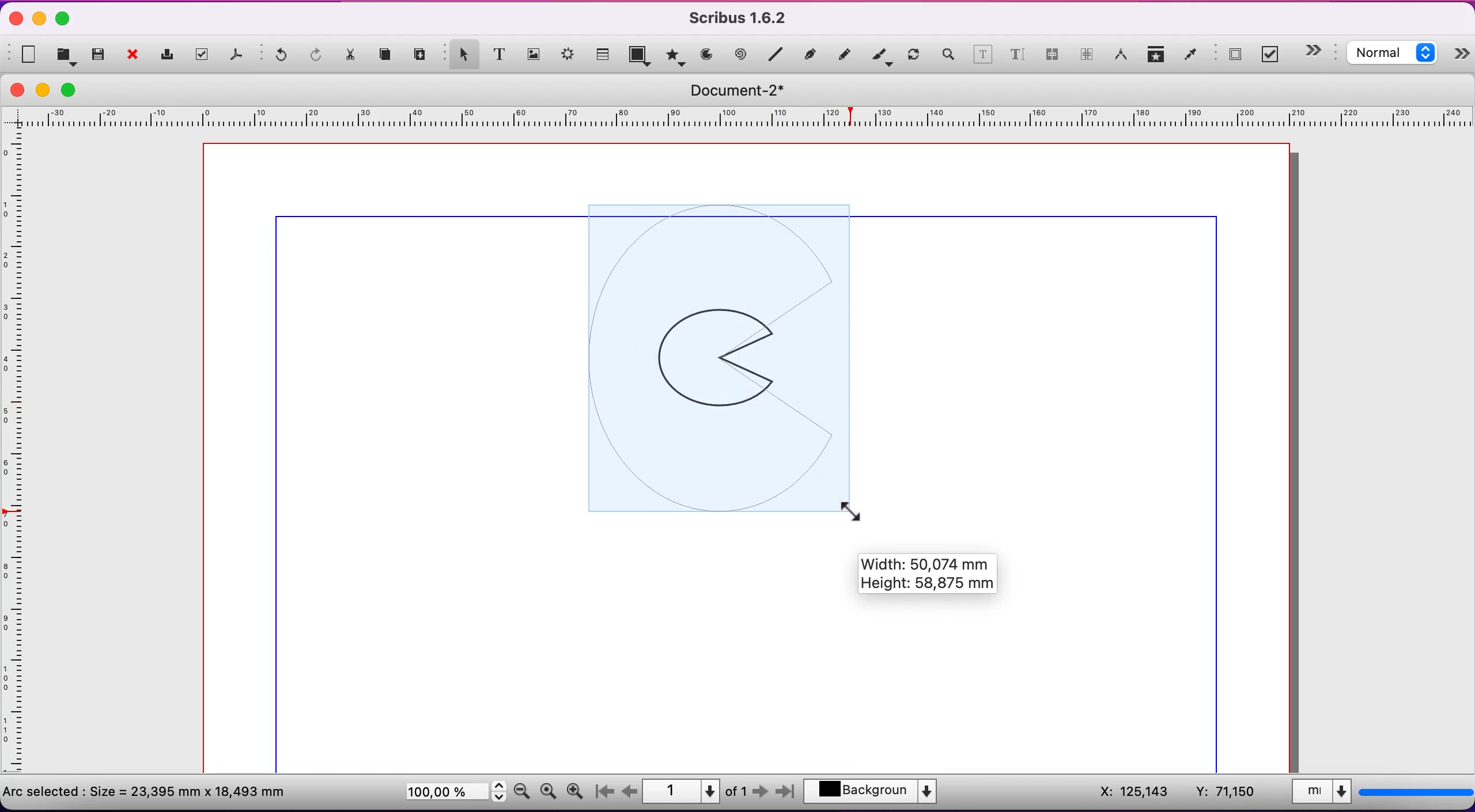 Image resolution: width=1475 pixels, height=812 pixels. What do you see at coordinates (13, 20) in the screenshot?
I see `close` at bounding box center [13, 20].